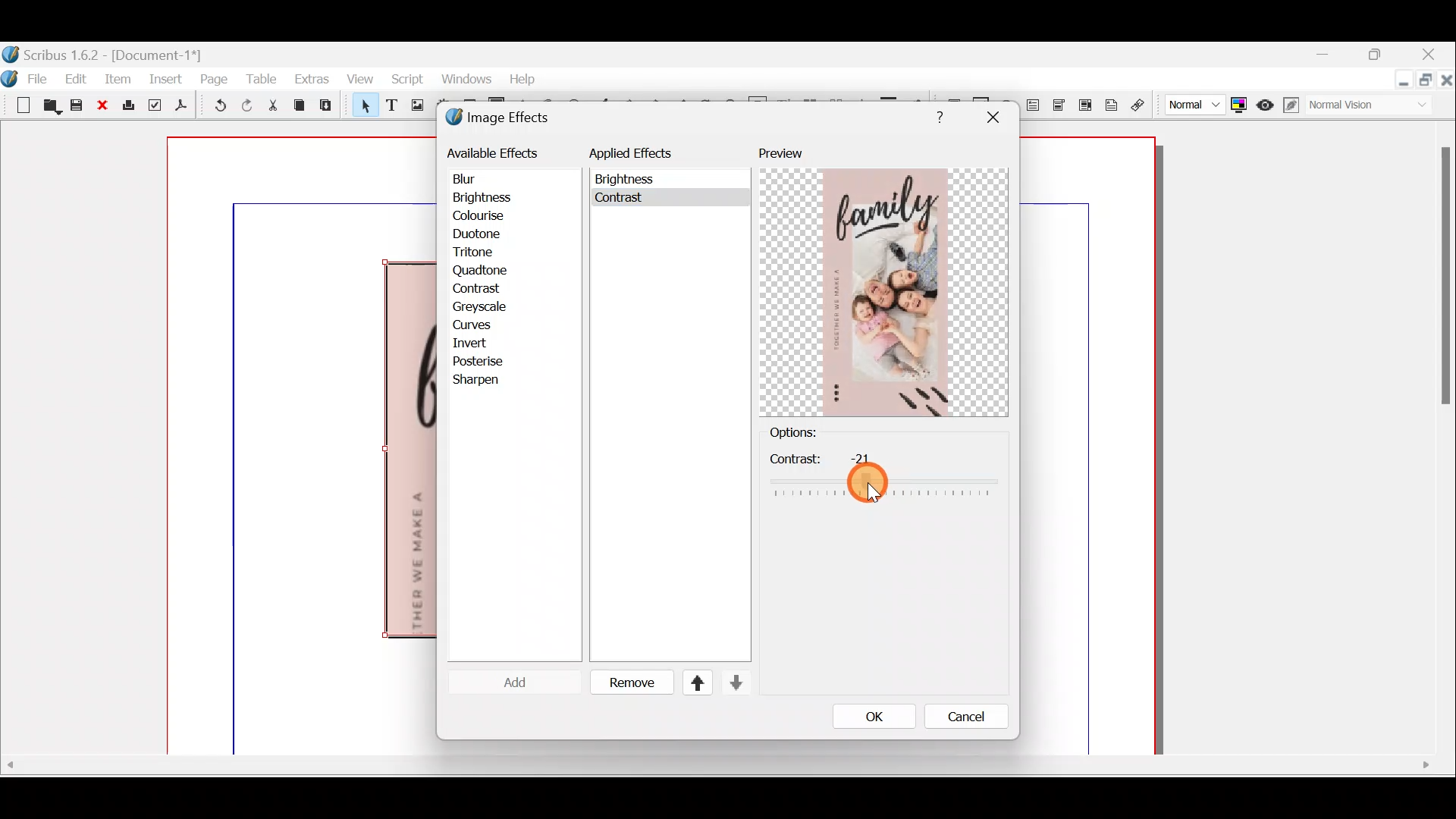 The image size is (1456, 819). Describe the element at coordinates (215, 78) in the screenshot. I see `Page` at that location.